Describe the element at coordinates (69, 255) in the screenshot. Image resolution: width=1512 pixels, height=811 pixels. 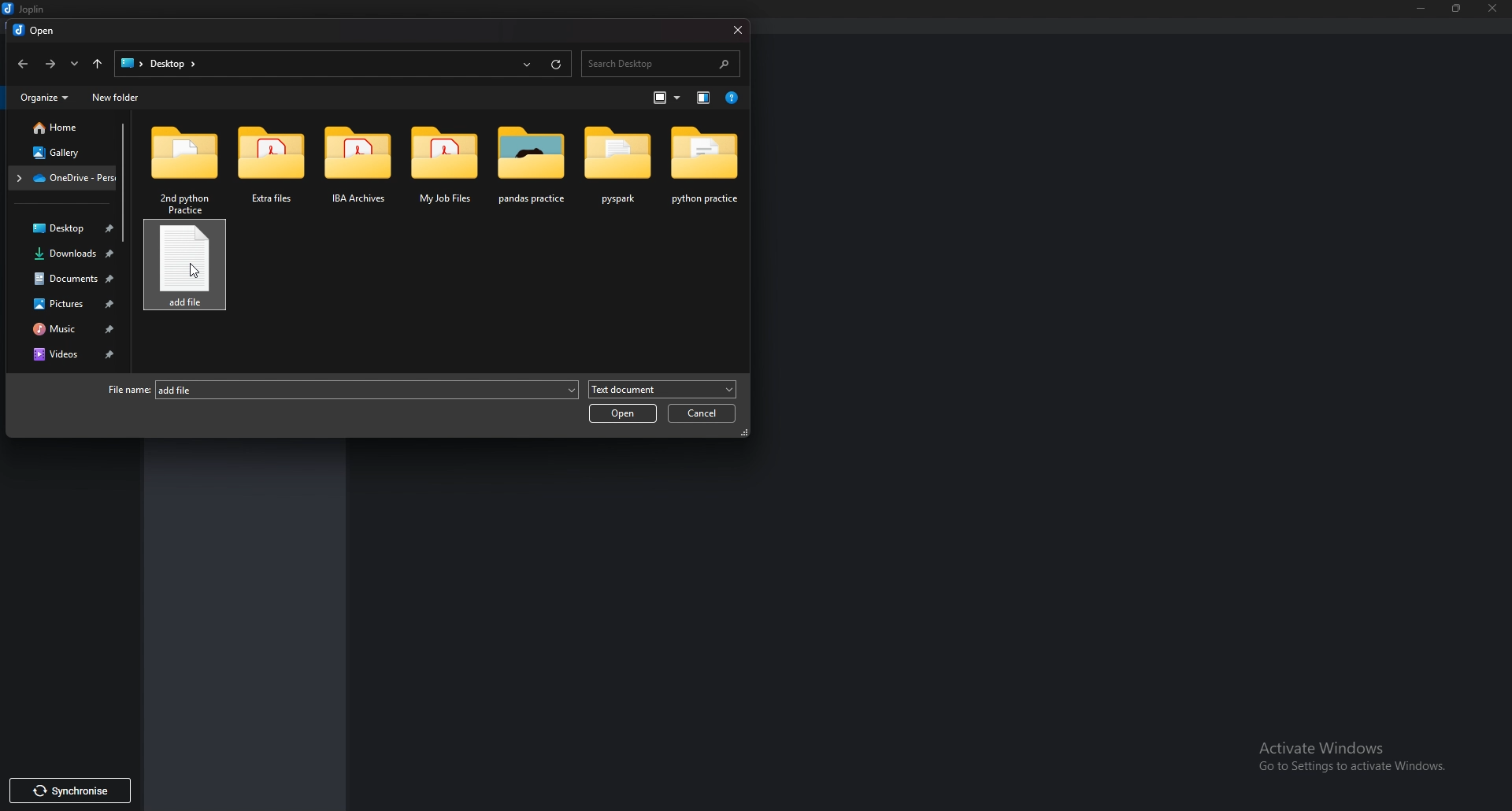
I see `Downloads` at that location.